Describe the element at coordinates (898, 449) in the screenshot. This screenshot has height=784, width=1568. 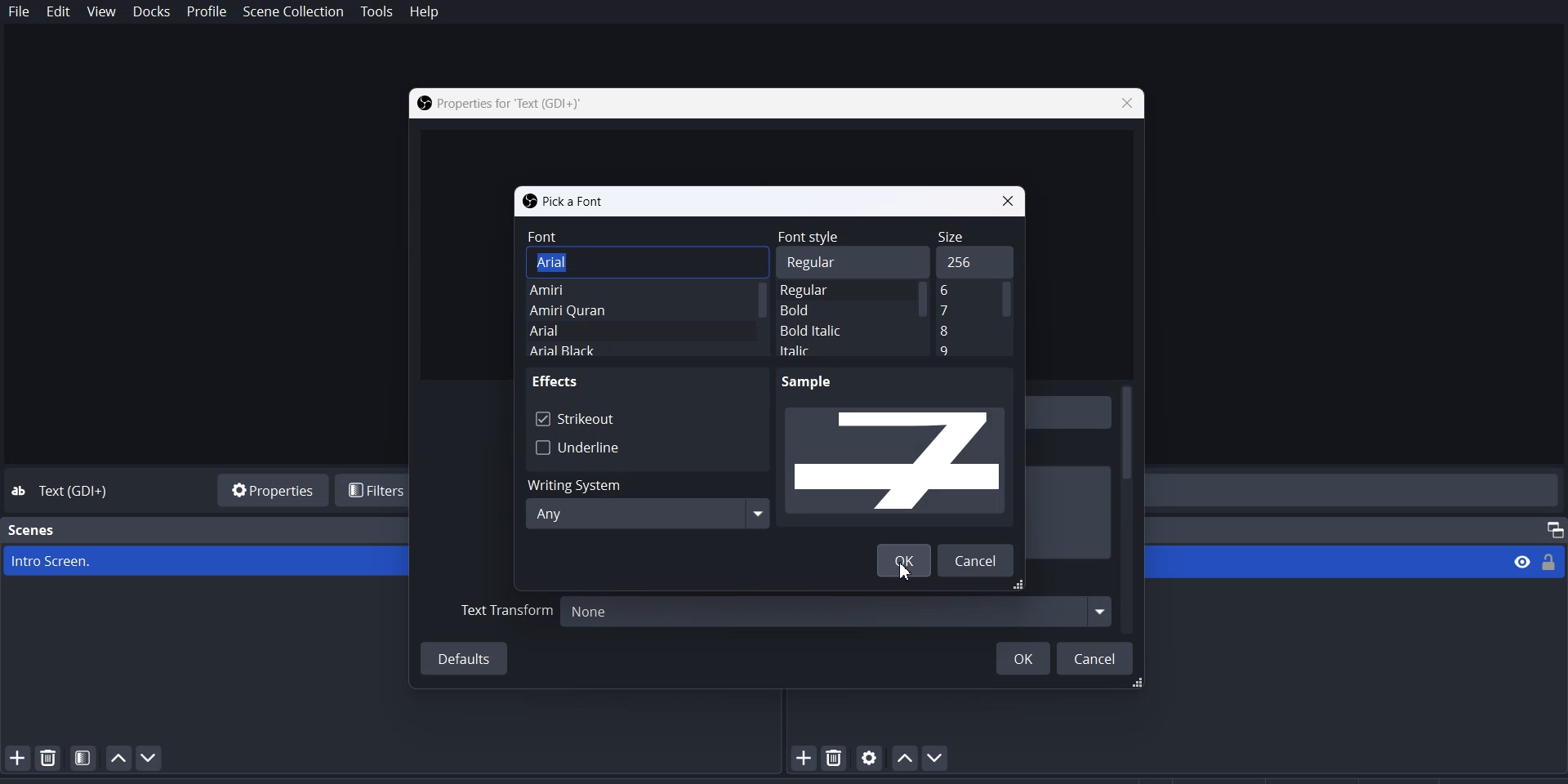
I see `Preview sample` at that location.